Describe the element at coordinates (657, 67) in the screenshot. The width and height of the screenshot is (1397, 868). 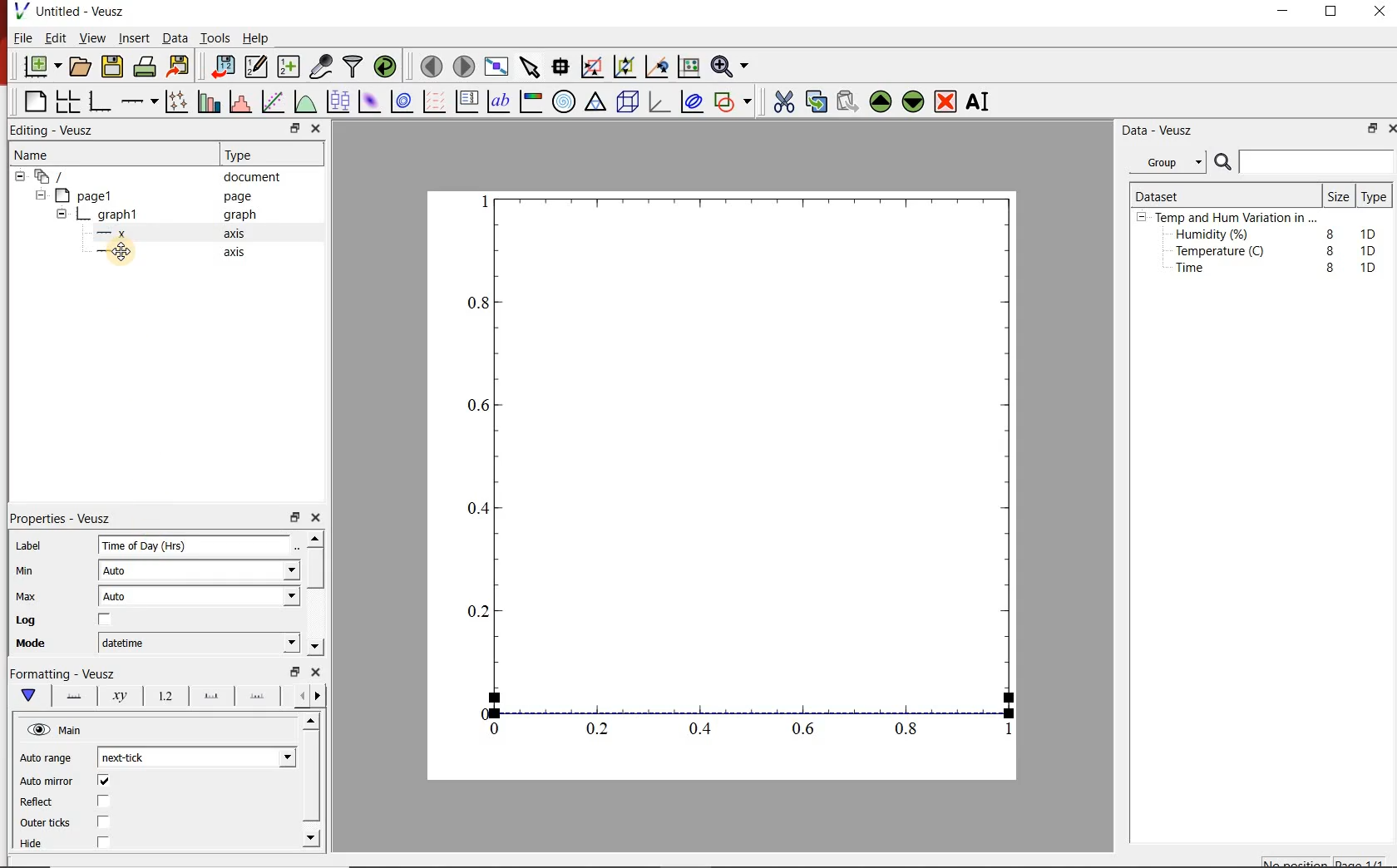
I see `click to recenter graph axes` at that location.